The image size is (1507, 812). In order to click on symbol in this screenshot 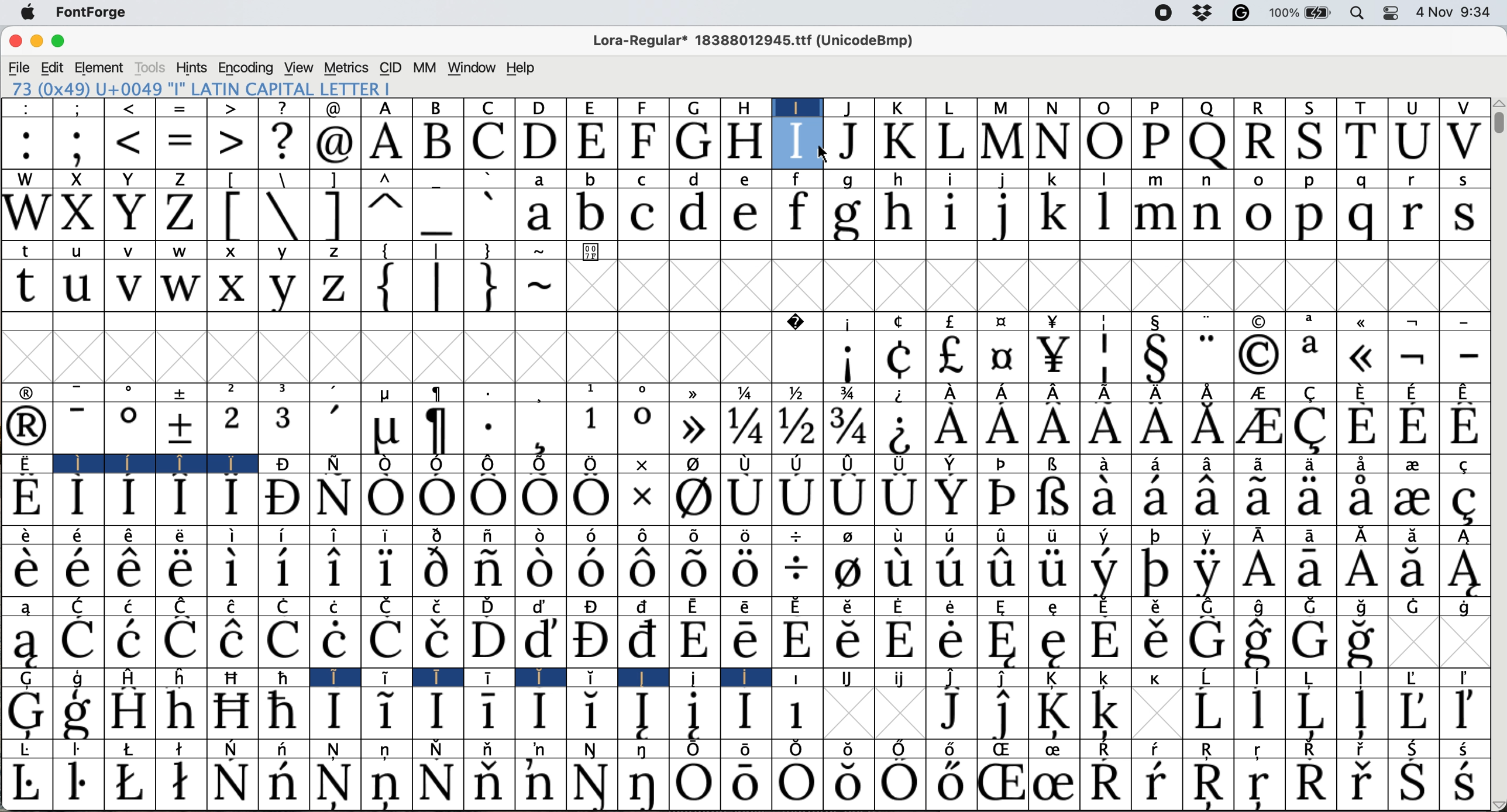, I will do `click(183, 392)`.